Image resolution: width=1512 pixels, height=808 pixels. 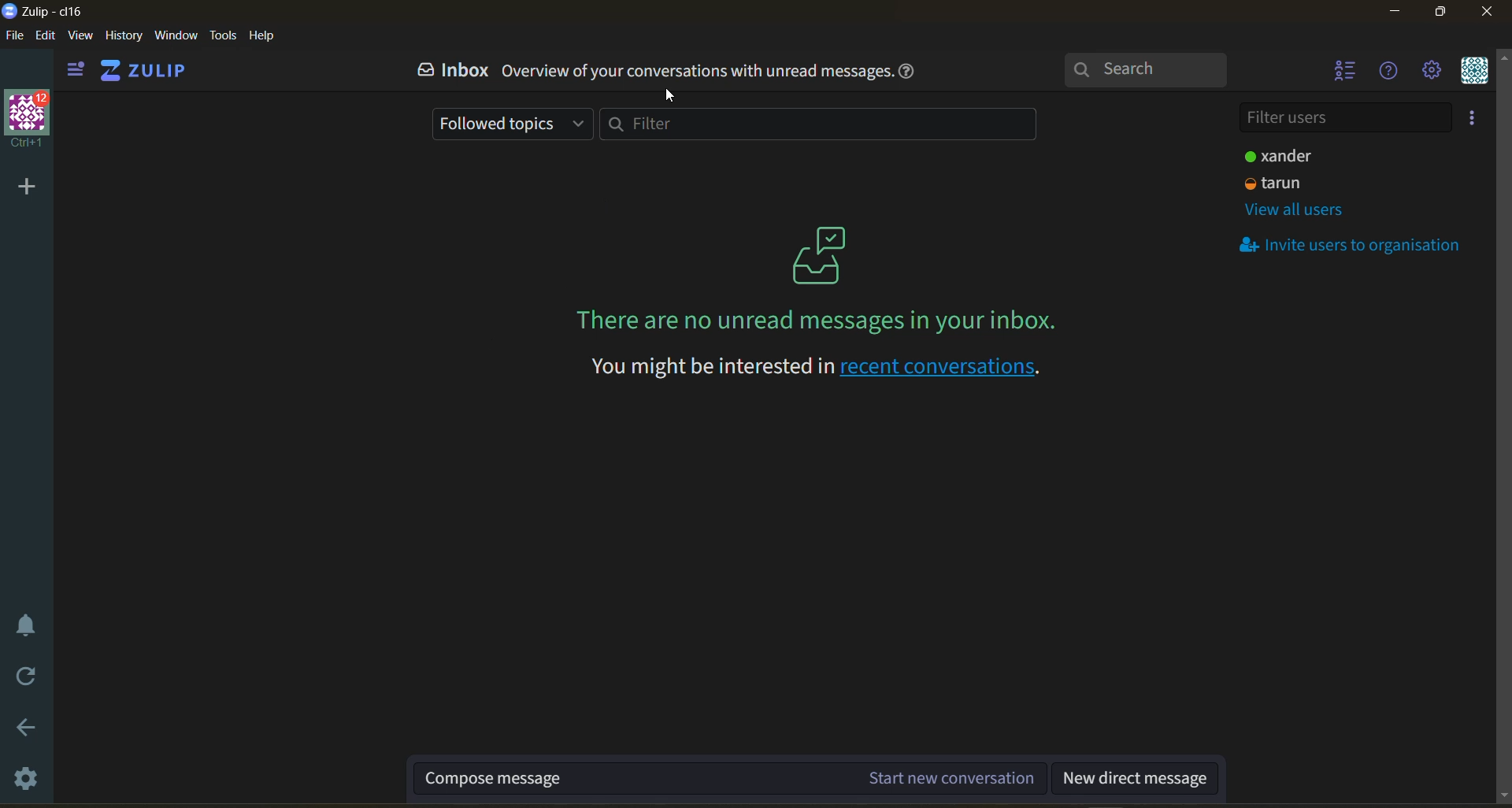 I want to click on compose message, so click(x=732, y=779).